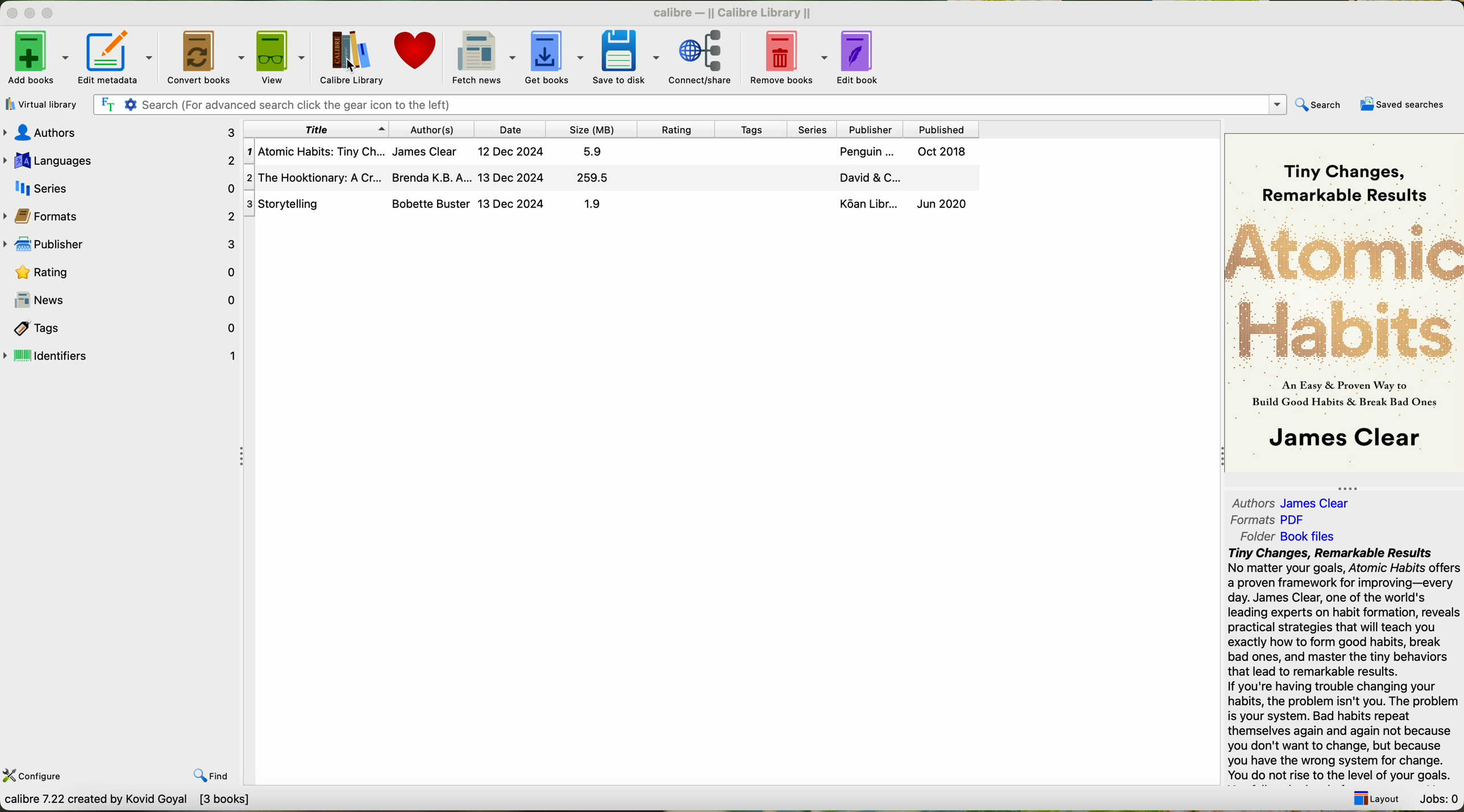  Describe the element at coordinates (897, 178) in the screenshot. I see `David & C...` at that location.